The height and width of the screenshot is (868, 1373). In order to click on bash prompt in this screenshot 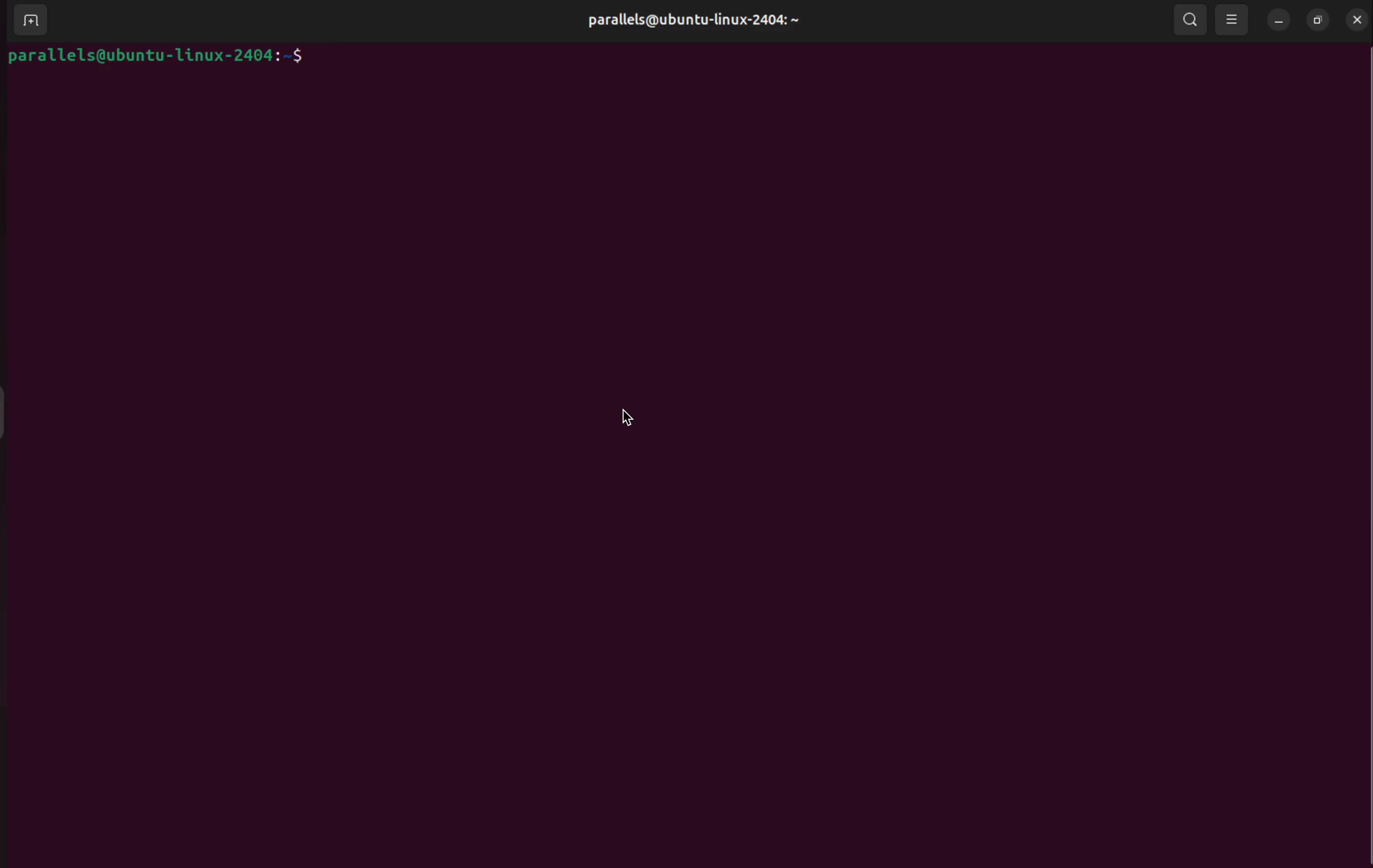, I will do `click(167, 58)`.